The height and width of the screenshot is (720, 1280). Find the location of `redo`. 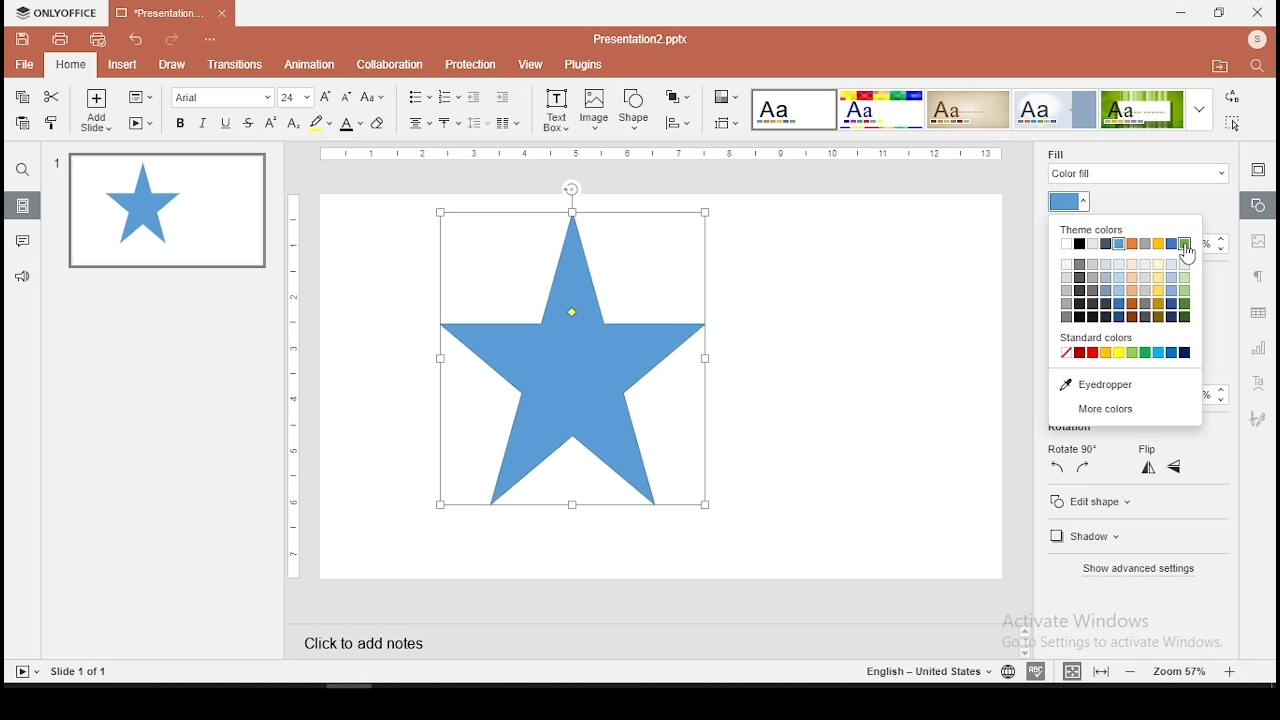

redo is located at coordinates (171, 41).